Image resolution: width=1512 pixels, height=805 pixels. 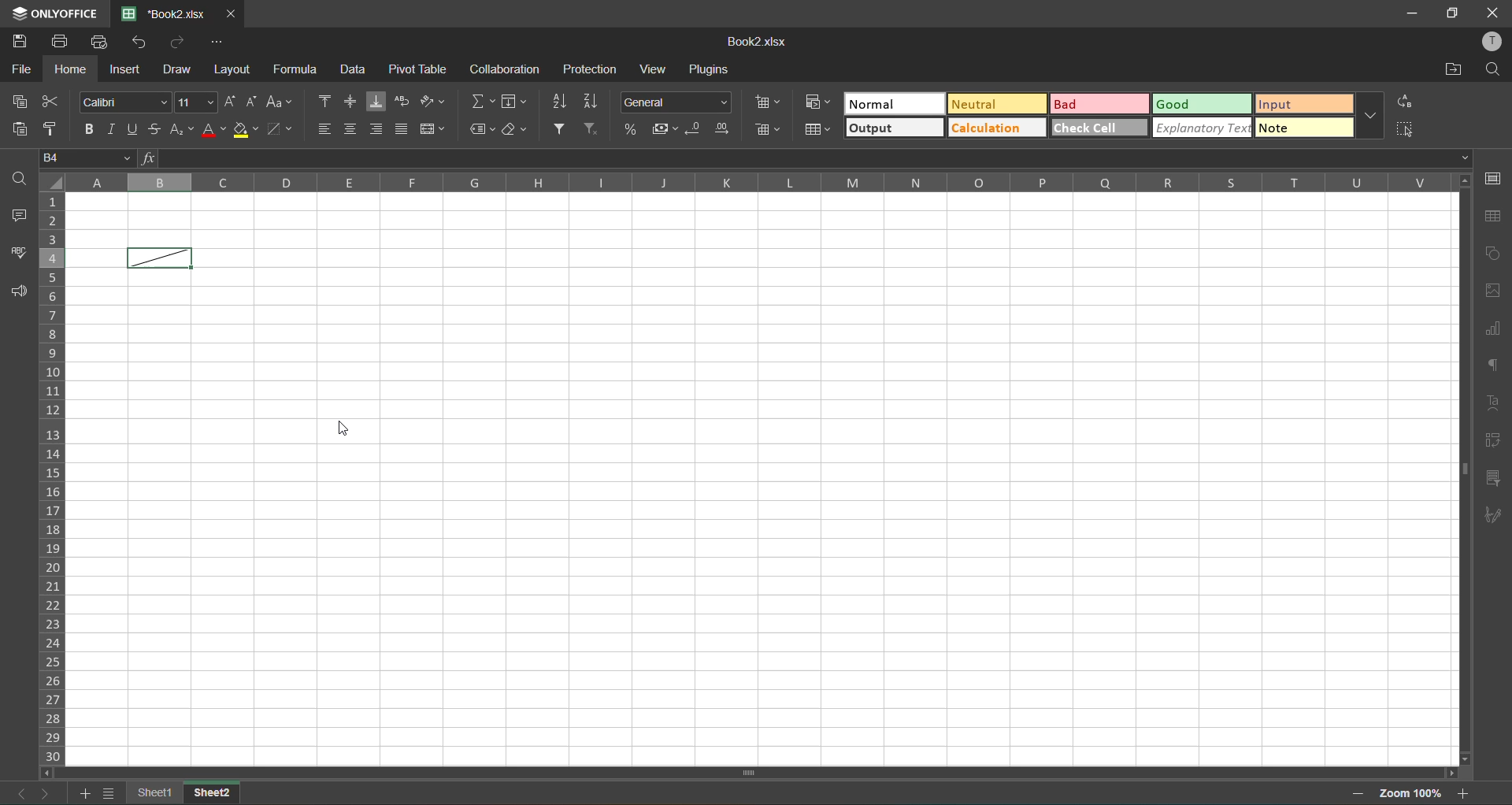 What do you see at coordinates (231, 70) in the screenshot?
I see `layout` at bounding box center [231, 70].